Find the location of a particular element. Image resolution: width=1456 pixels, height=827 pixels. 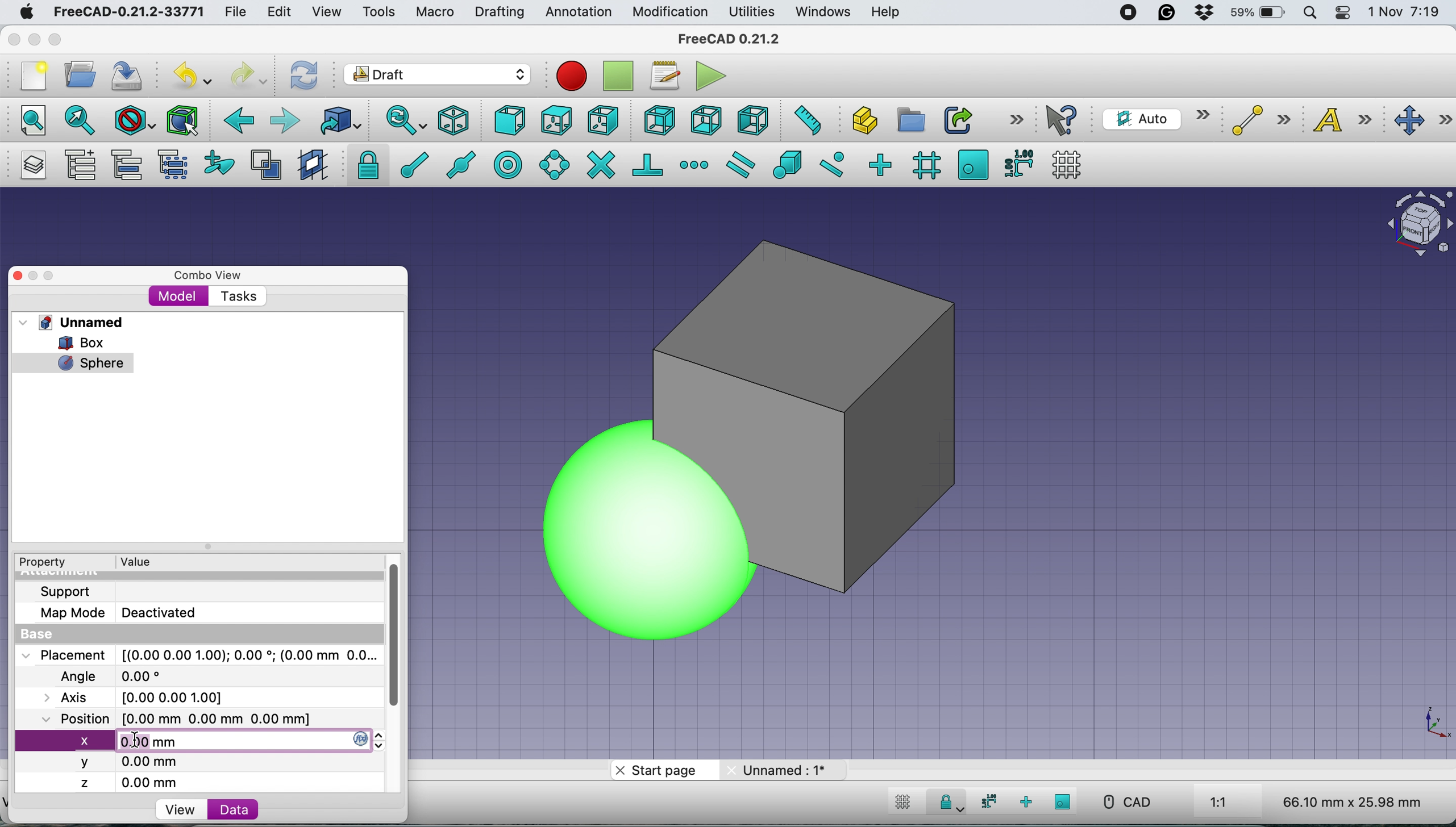

date and time is located at coordinates (1405, 12).